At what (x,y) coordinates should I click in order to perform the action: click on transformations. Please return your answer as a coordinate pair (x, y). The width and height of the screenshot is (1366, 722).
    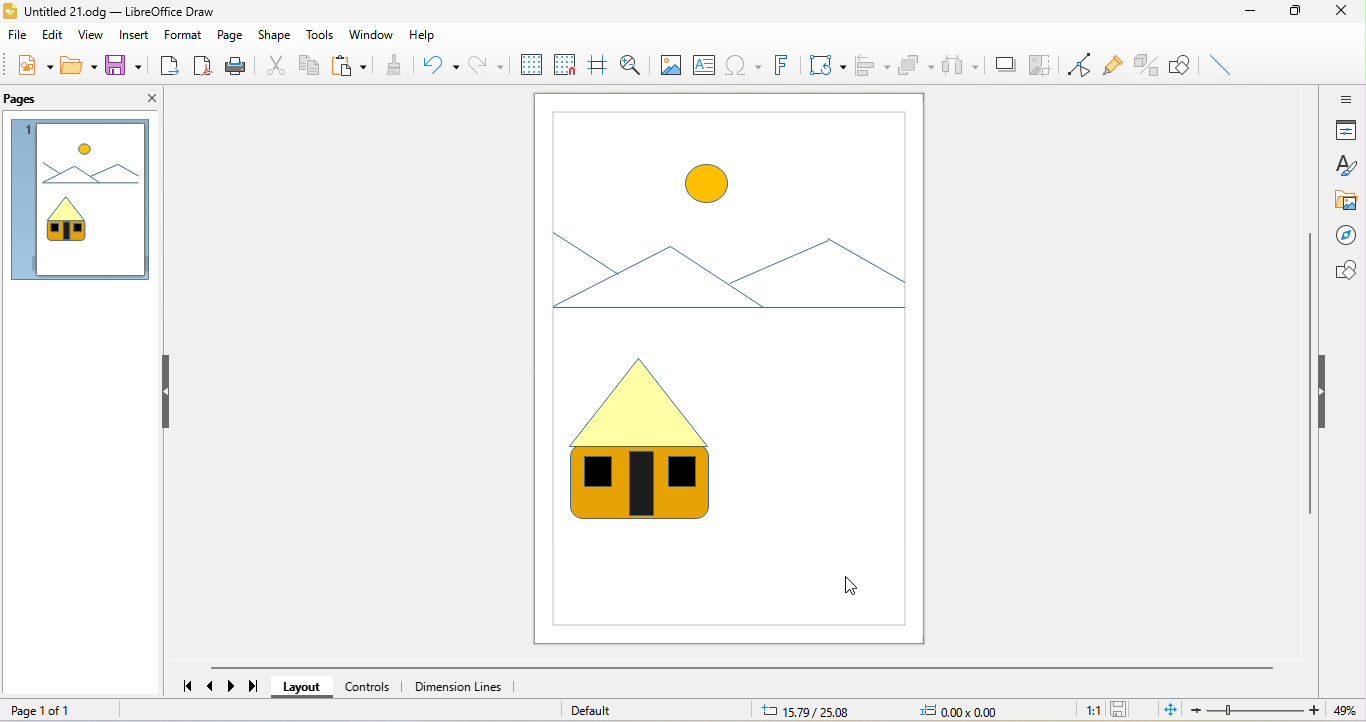
    Looking at the image, I should click on (826, 66).